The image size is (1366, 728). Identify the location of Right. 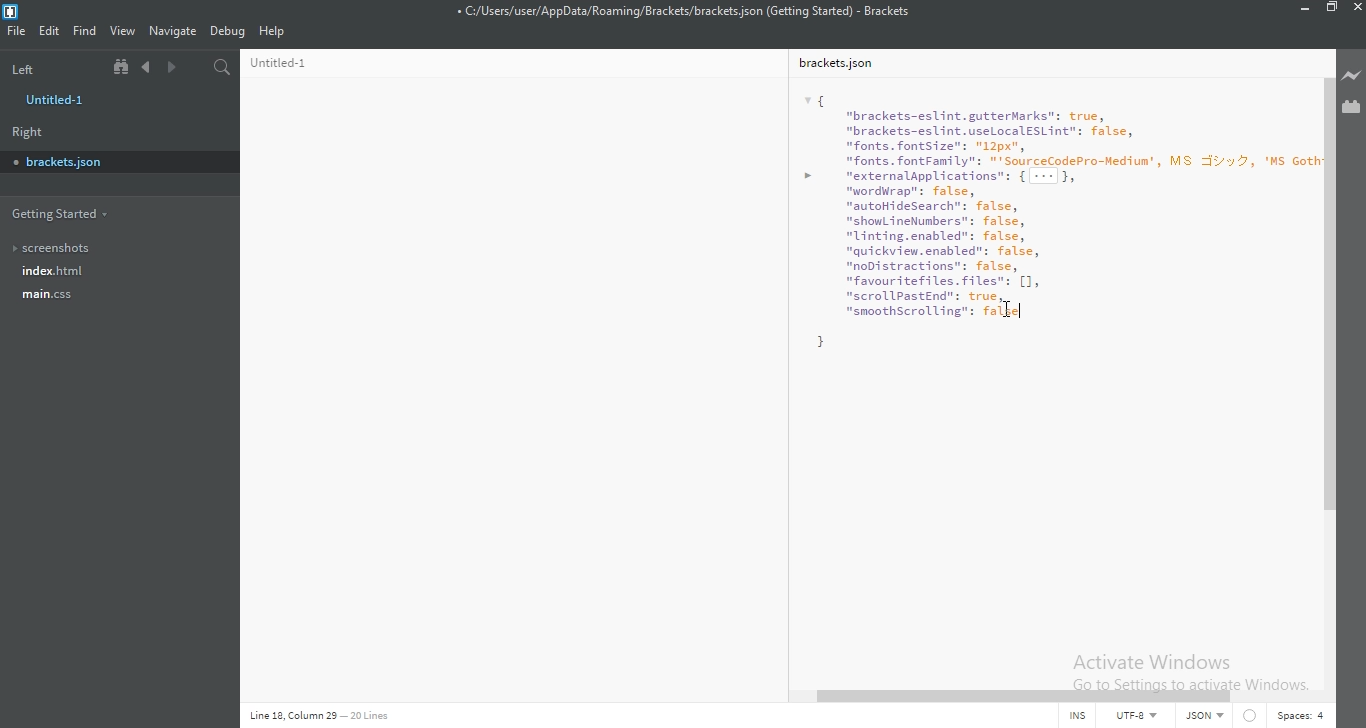
(26, 132).